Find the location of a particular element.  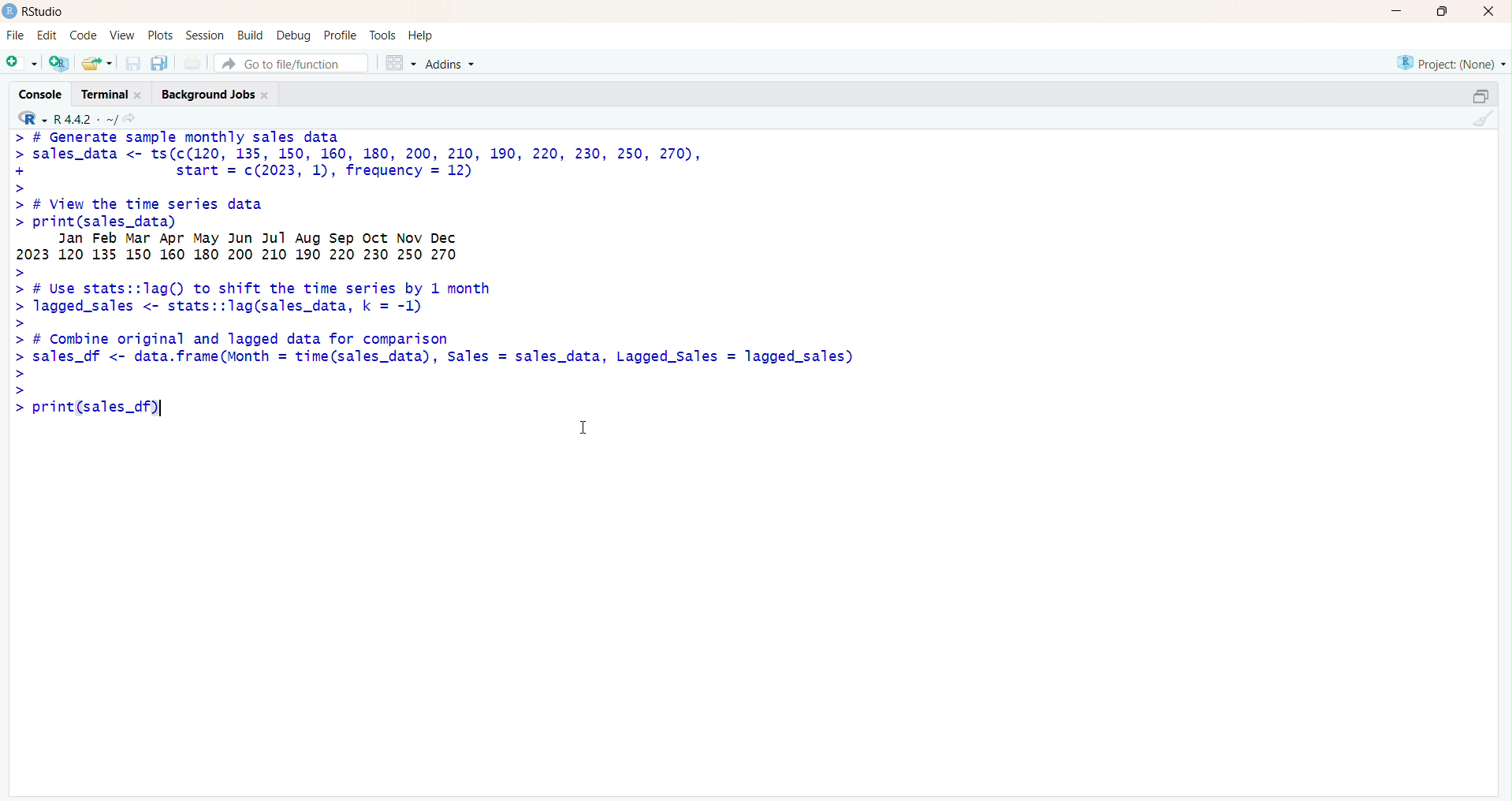

R 4.4.2 is located at coordinates (68, 119).